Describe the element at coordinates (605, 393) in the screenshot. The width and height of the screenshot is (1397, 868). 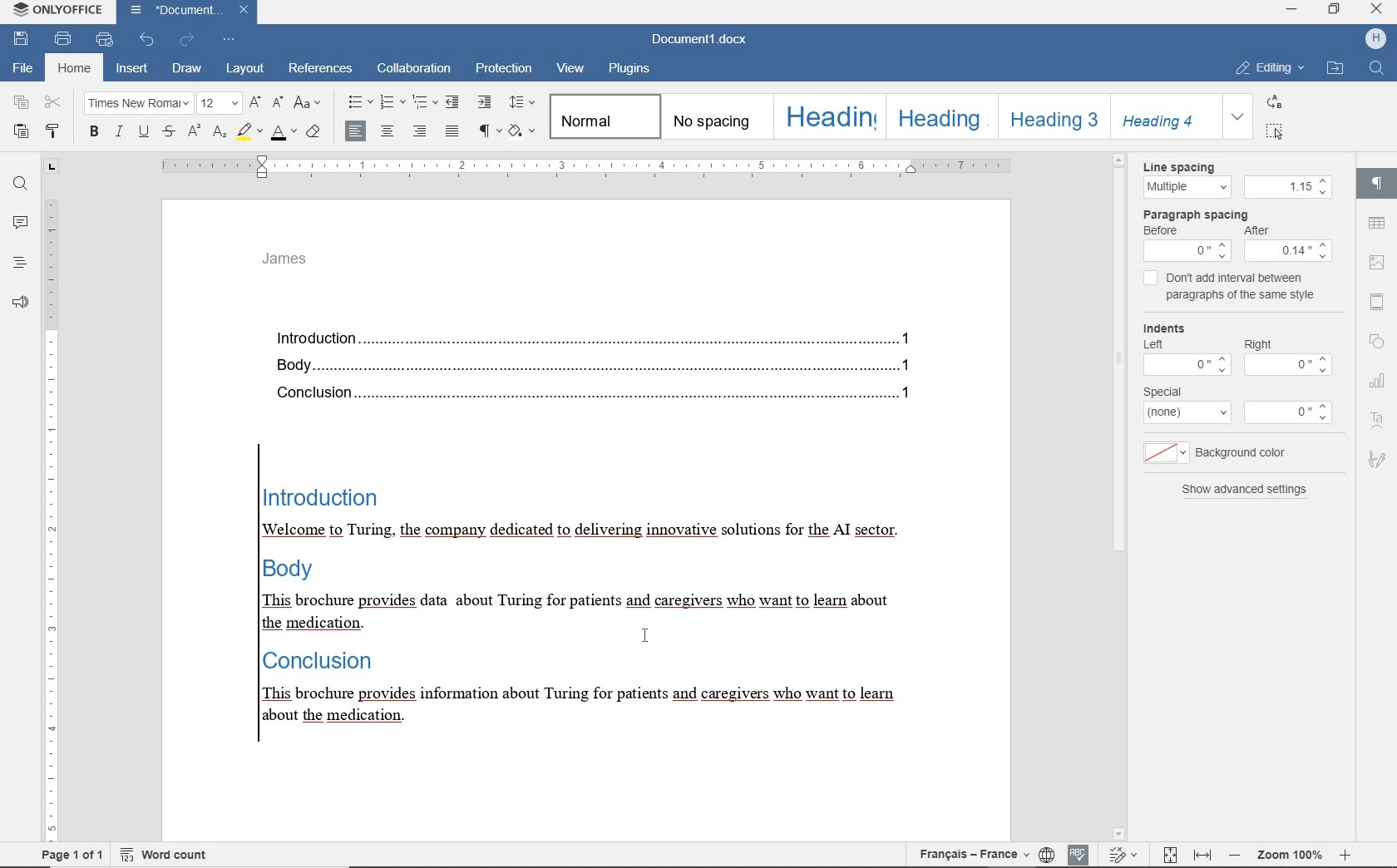
I see `Conclusion` at that location.